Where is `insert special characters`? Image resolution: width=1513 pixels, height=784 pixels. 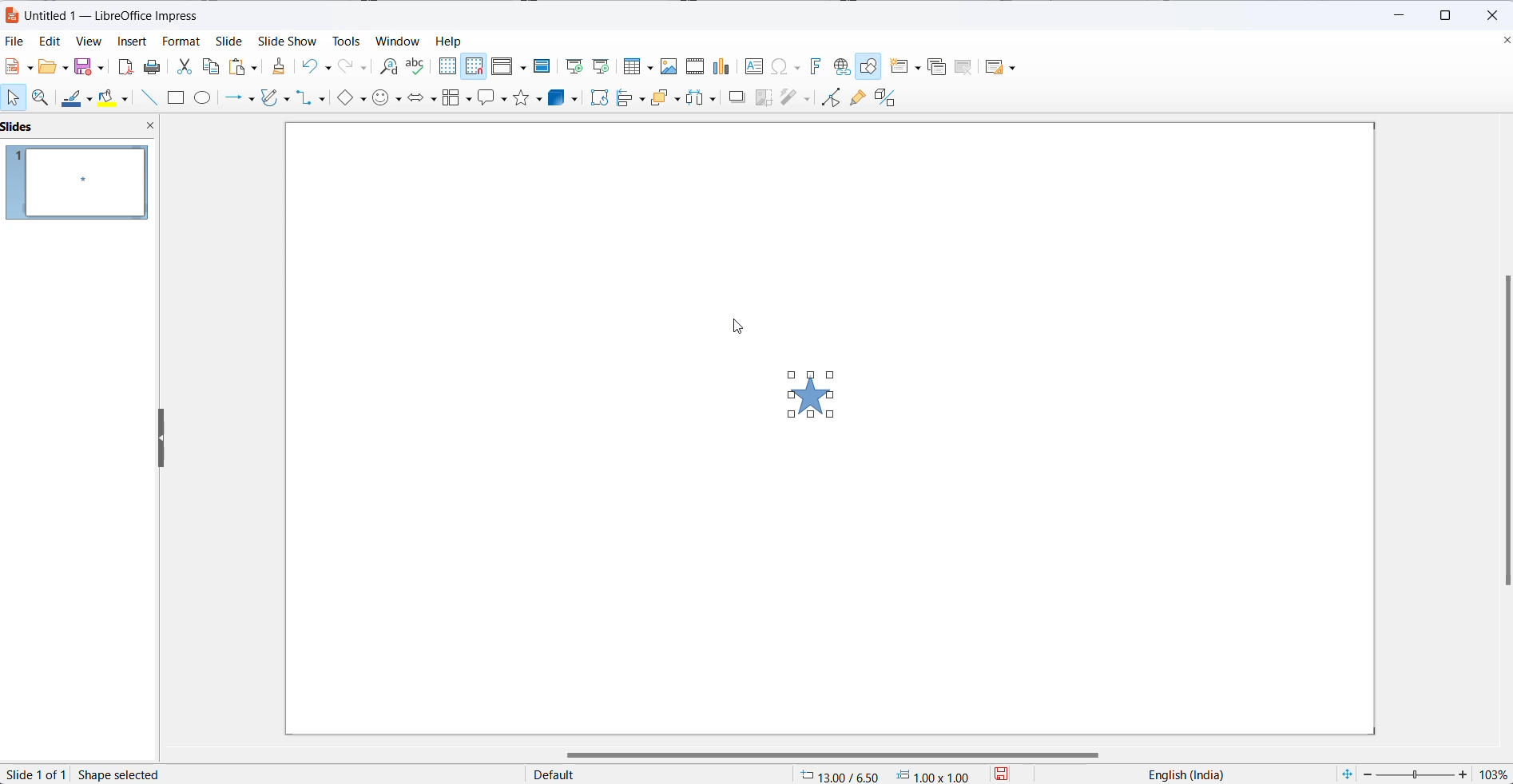 insert special characters is located at coordinates (785, 66).